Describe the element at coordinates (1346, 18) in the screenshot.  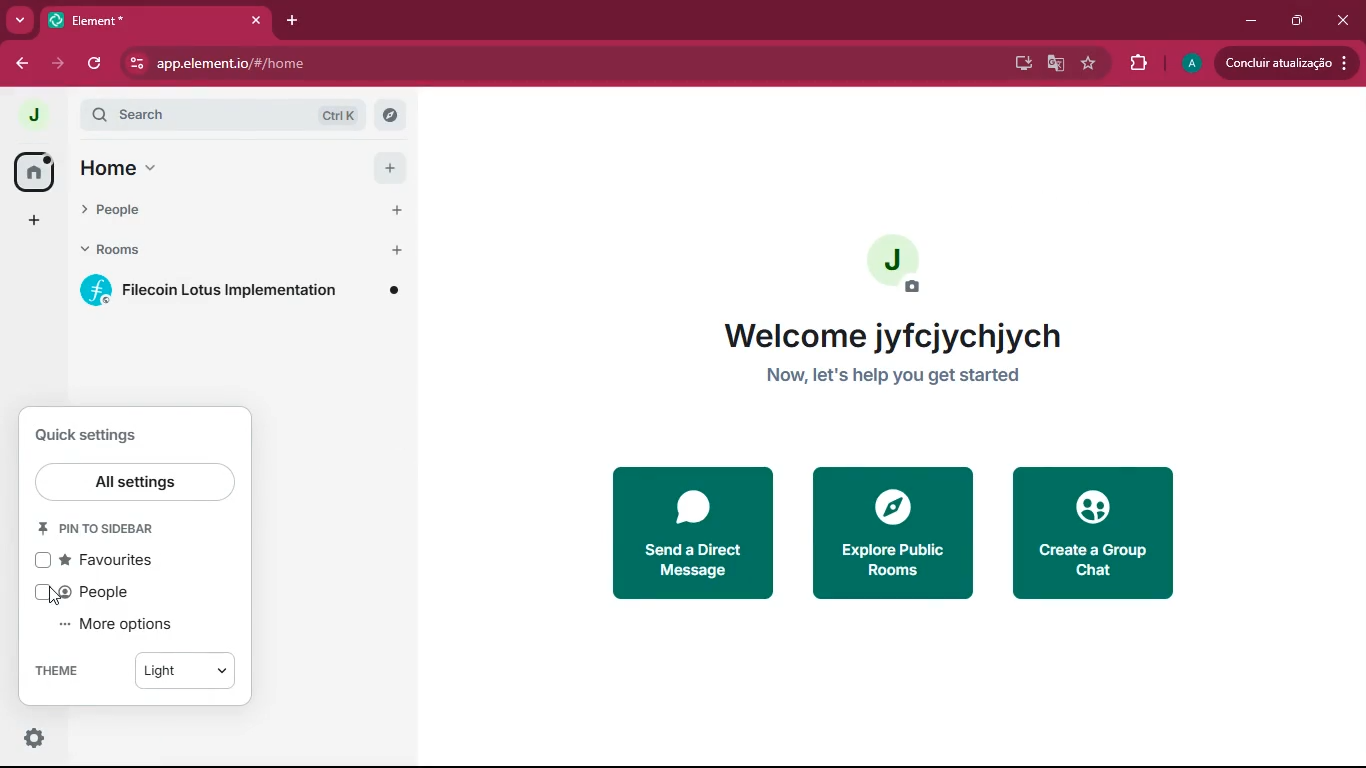
I see `close` at that location.